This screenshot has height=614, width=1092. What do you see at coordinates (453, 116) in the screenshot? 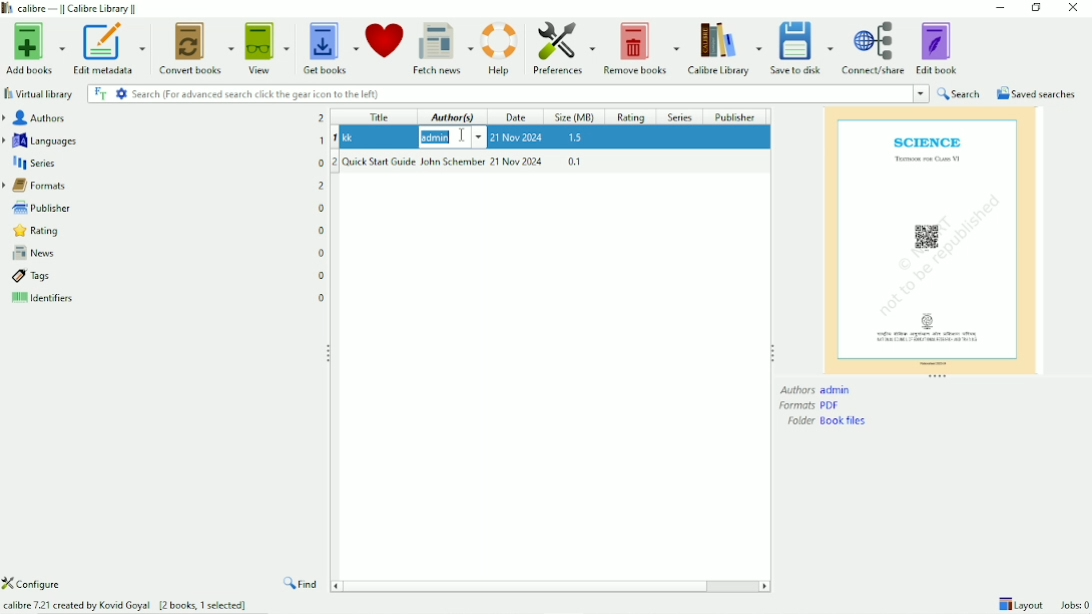
I see `Author(s)` at bounding box center [453, 116].